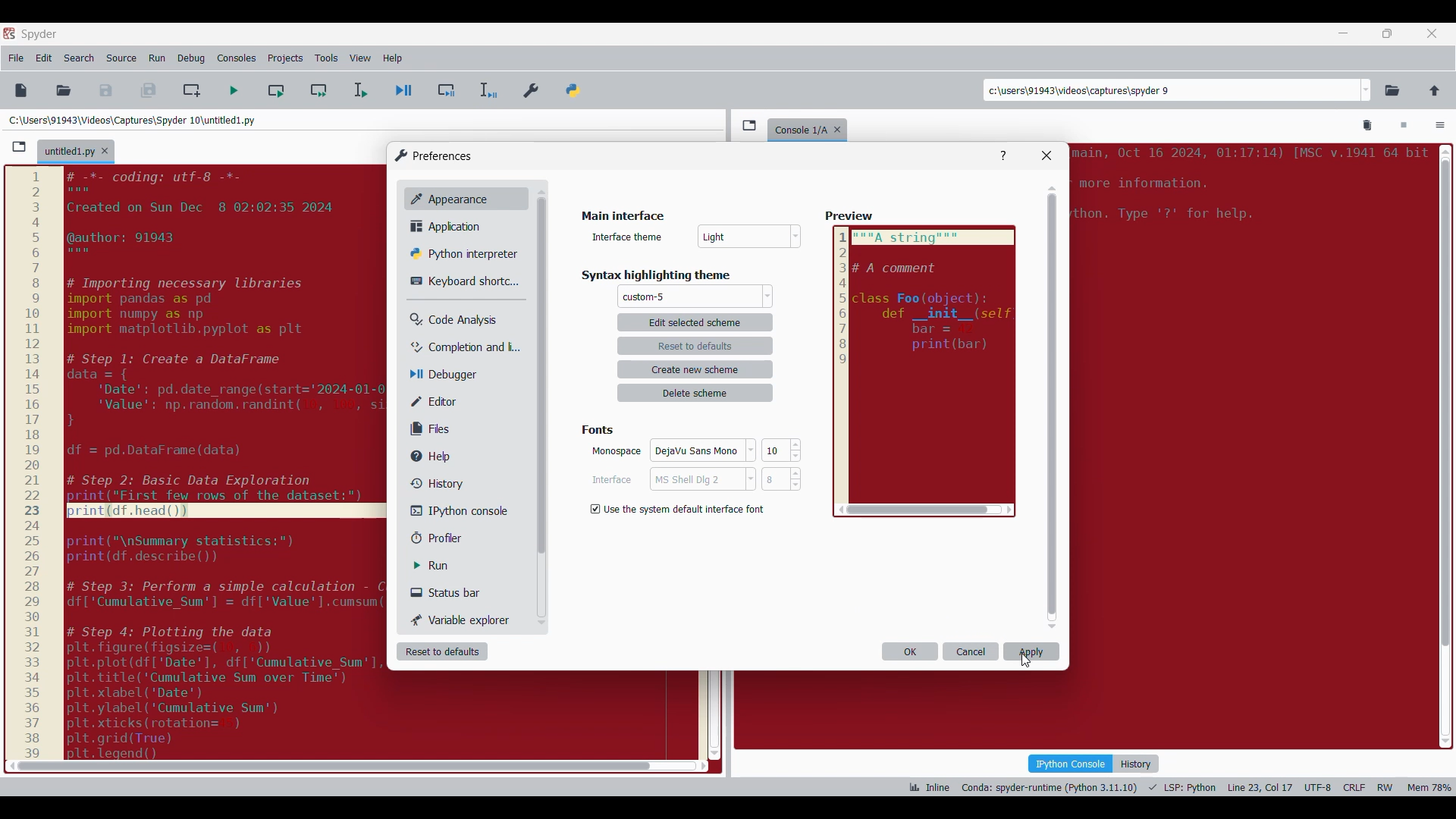 This screenshot has height=819, width=1456. What do you see at coordinates (107, 90) in the screenshot?
I see `Save file` at bounding box center [107, 90].